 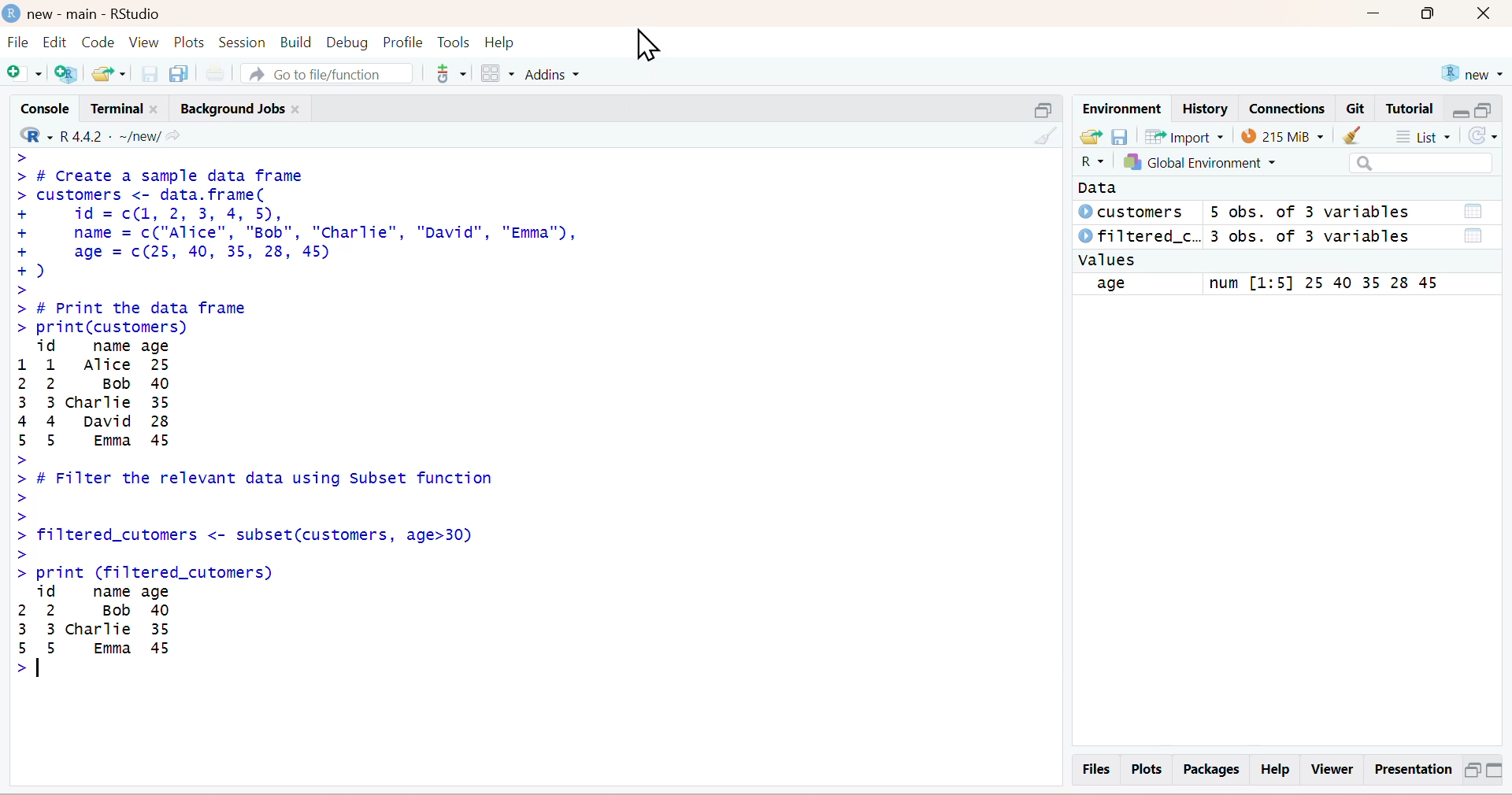 I want to click on Debug, so click(x=346, y=41).